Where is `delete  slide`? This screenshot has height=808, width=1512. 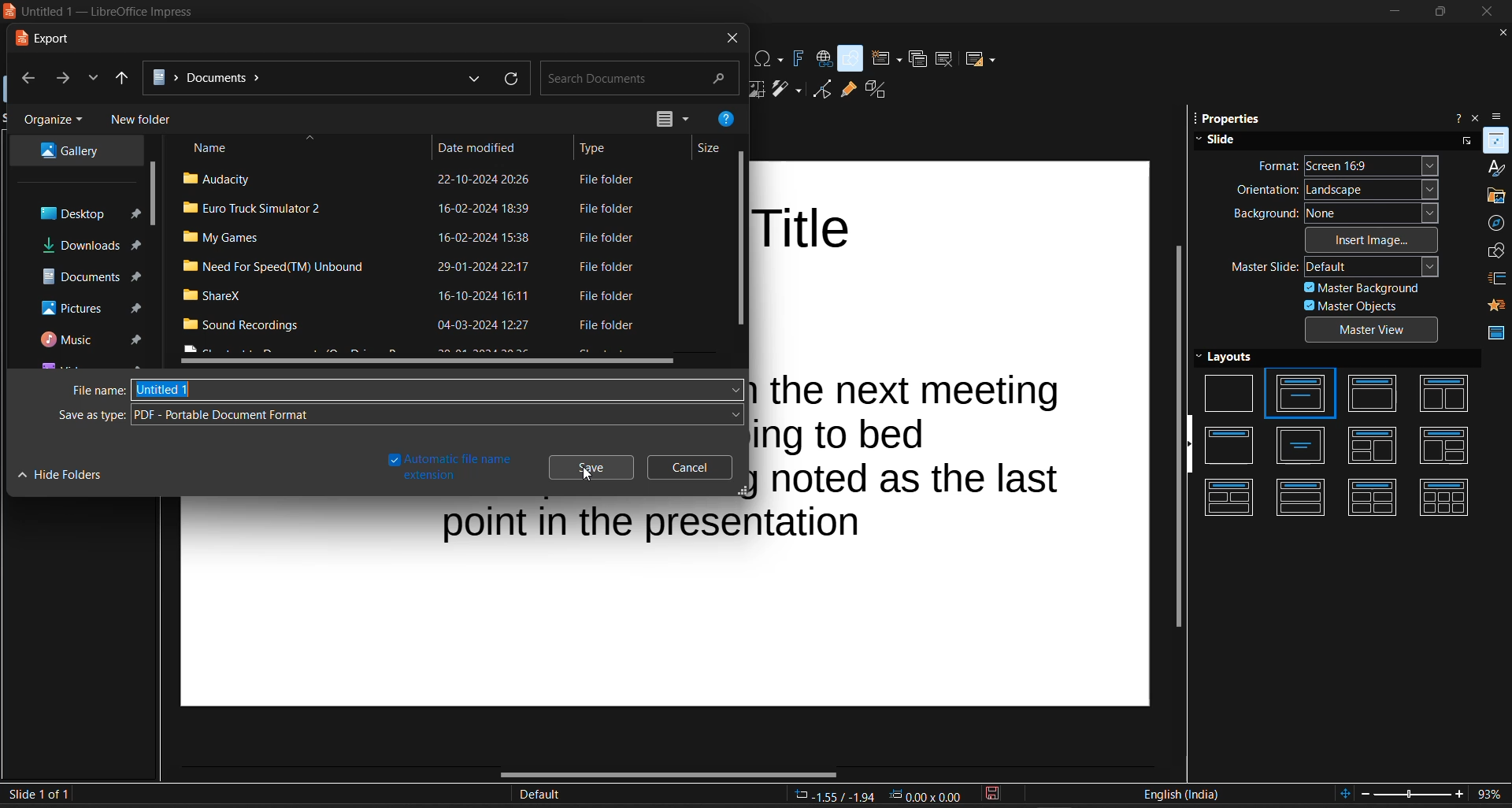 delete  slide is located at coordinates (945, 58).